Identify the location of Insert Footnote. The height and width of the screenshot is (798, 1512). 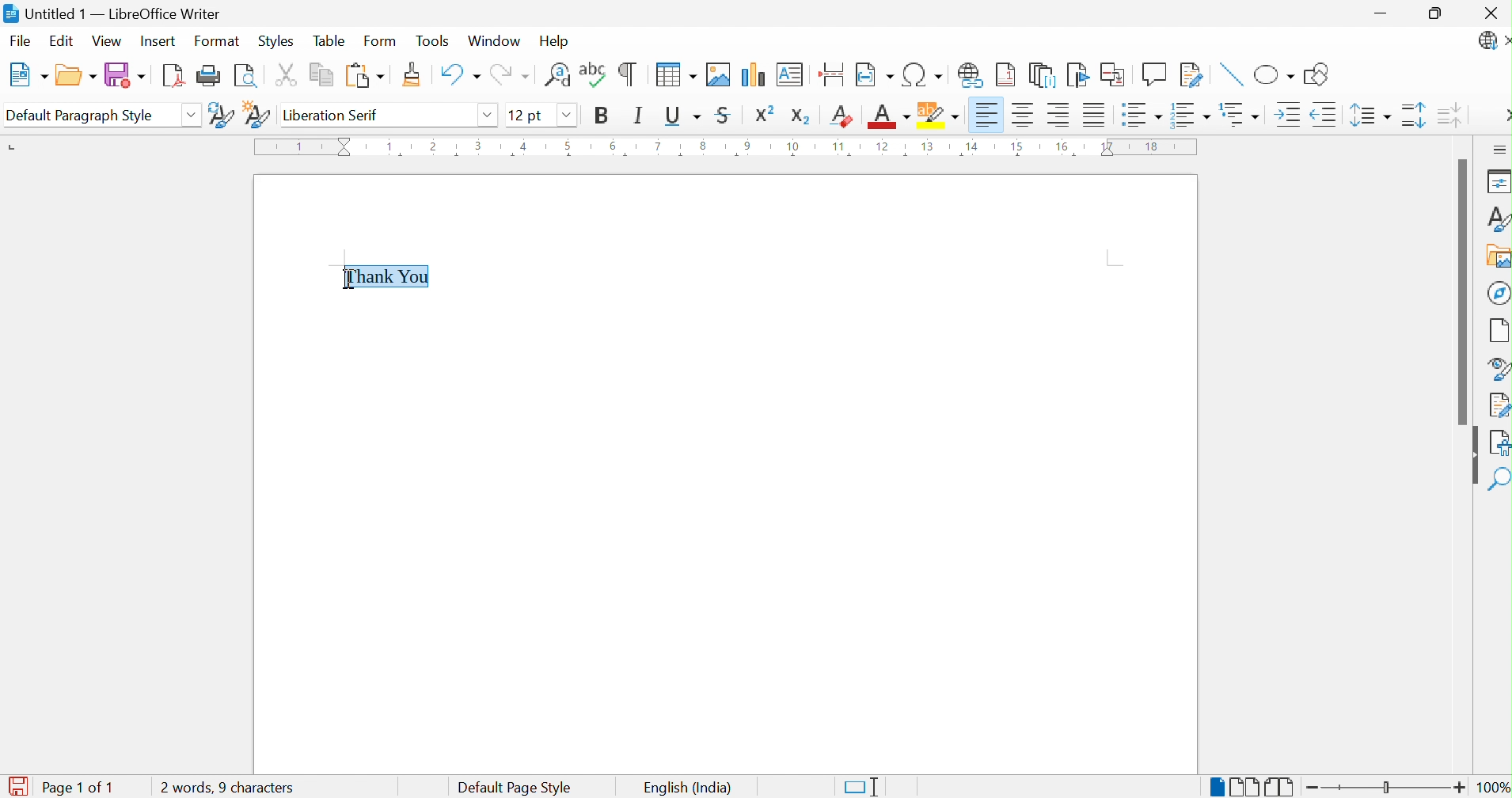
(1006, 75).